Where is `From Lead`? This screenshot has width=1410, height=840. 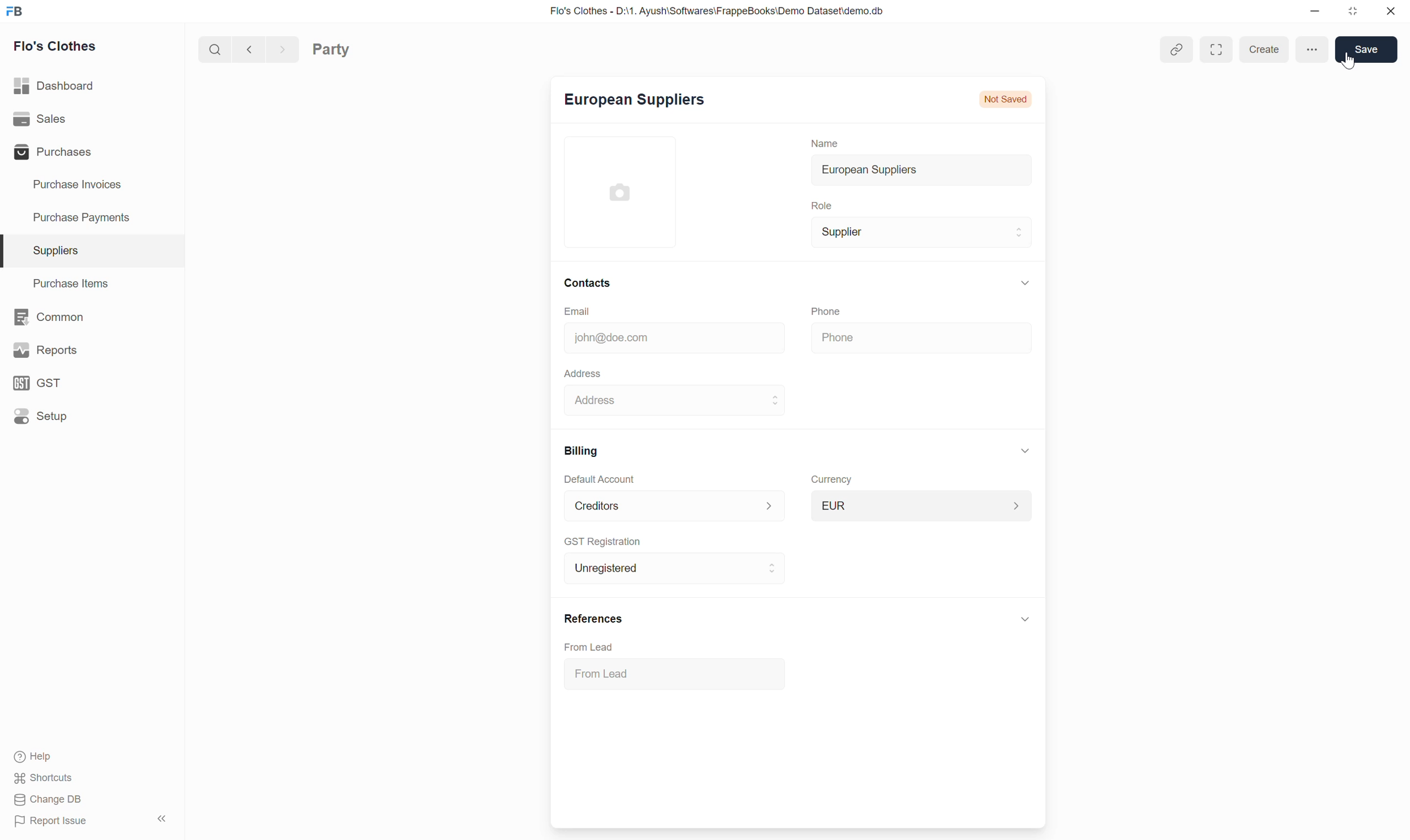
From Lead is located at coordinates (608, 672).